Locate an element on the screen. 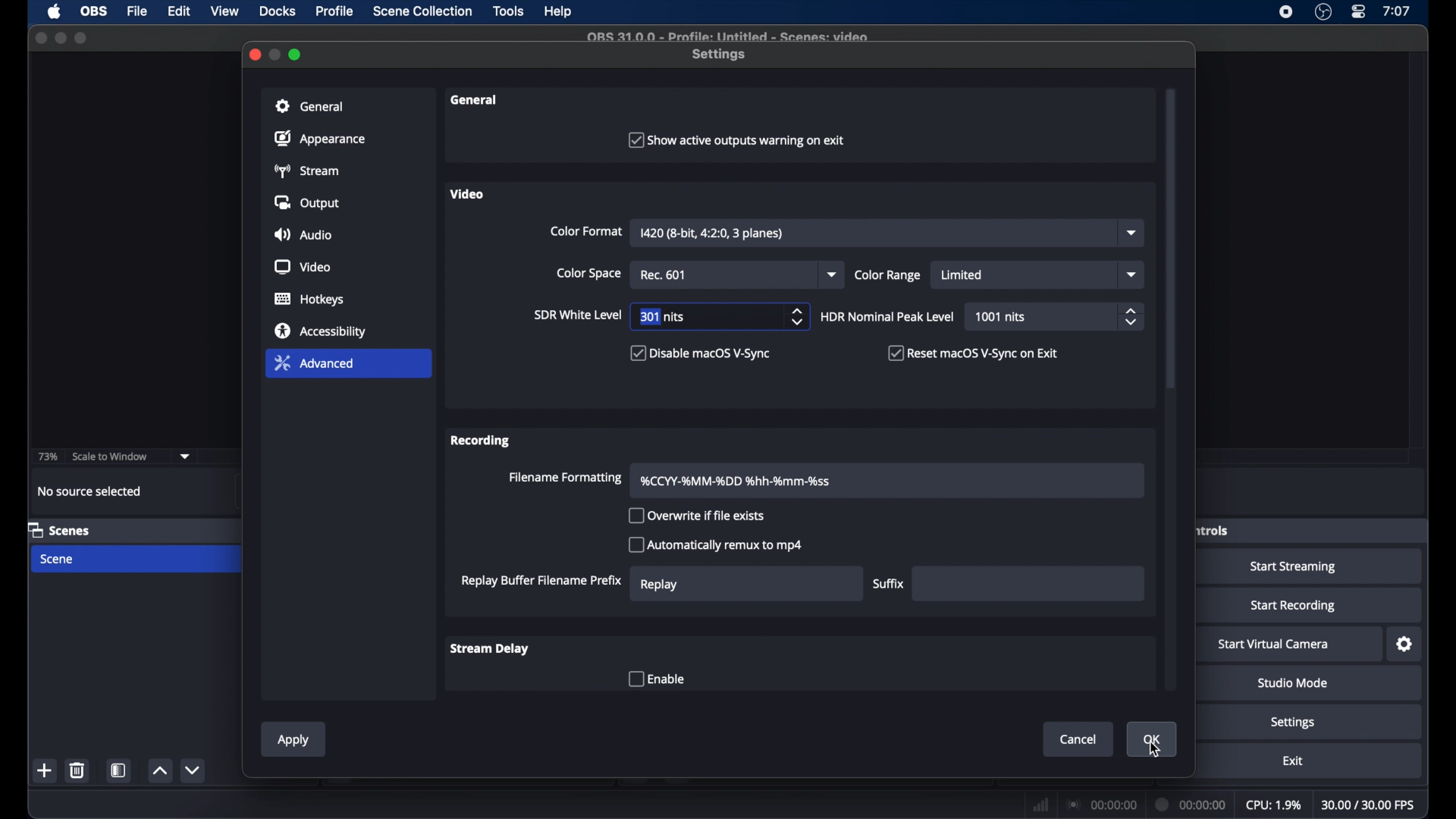 This screenshot has width=1456, height=819. checkbox is located at coordinates (974, 353).